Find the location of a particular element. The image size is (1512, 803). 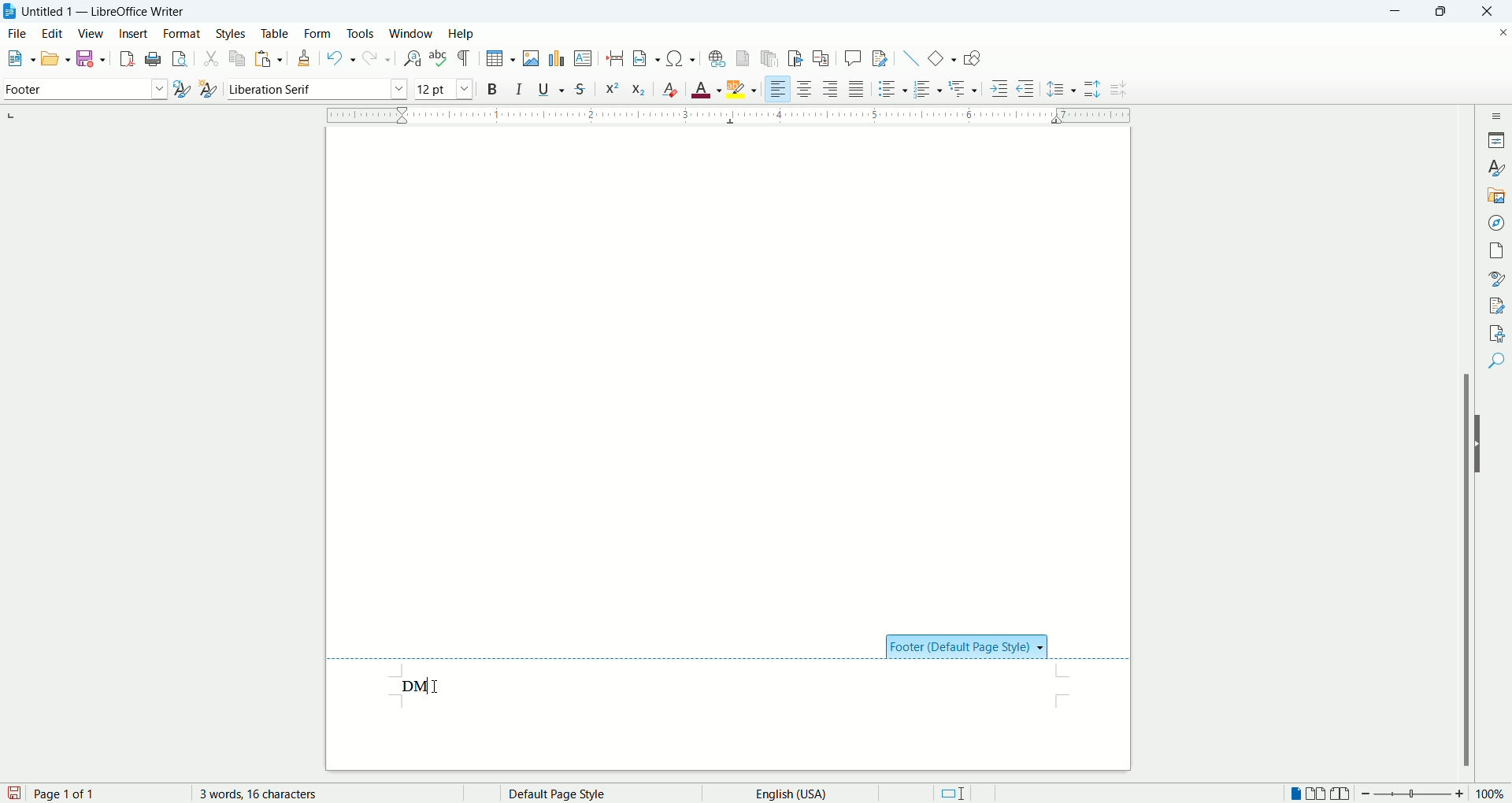

insert line is located at coordinates (909, 57).